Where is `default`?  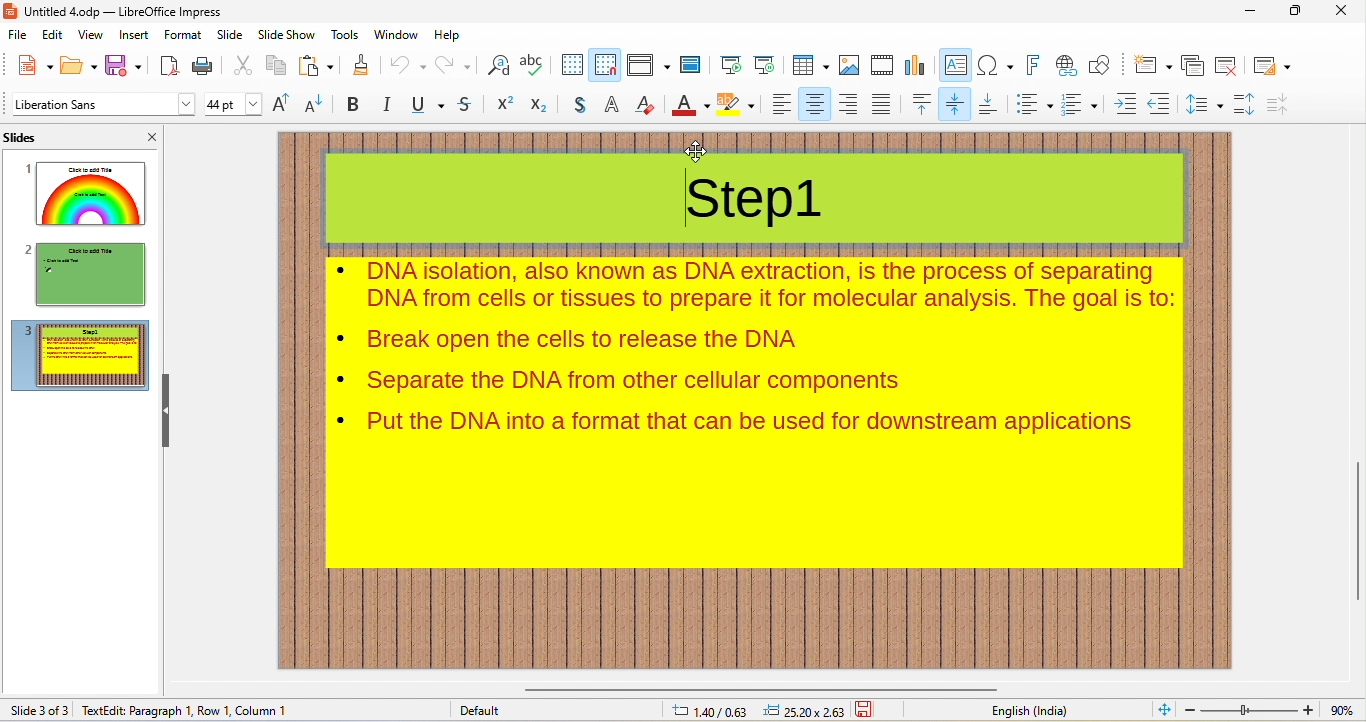 default is located at coordinates (478, 709).